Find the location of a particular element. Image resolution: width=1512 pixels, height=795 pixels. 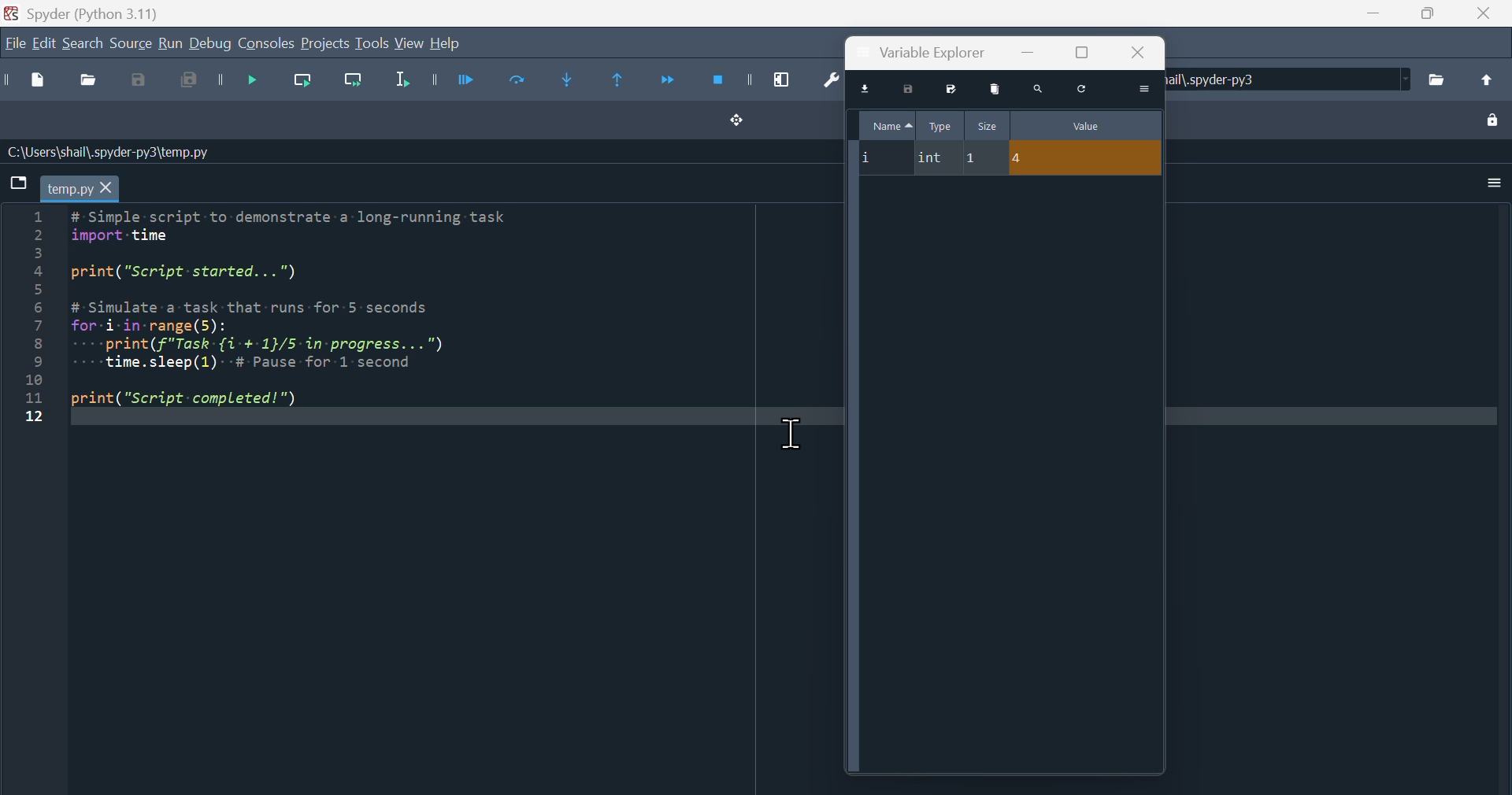

int is located at coordinates (932, 156).